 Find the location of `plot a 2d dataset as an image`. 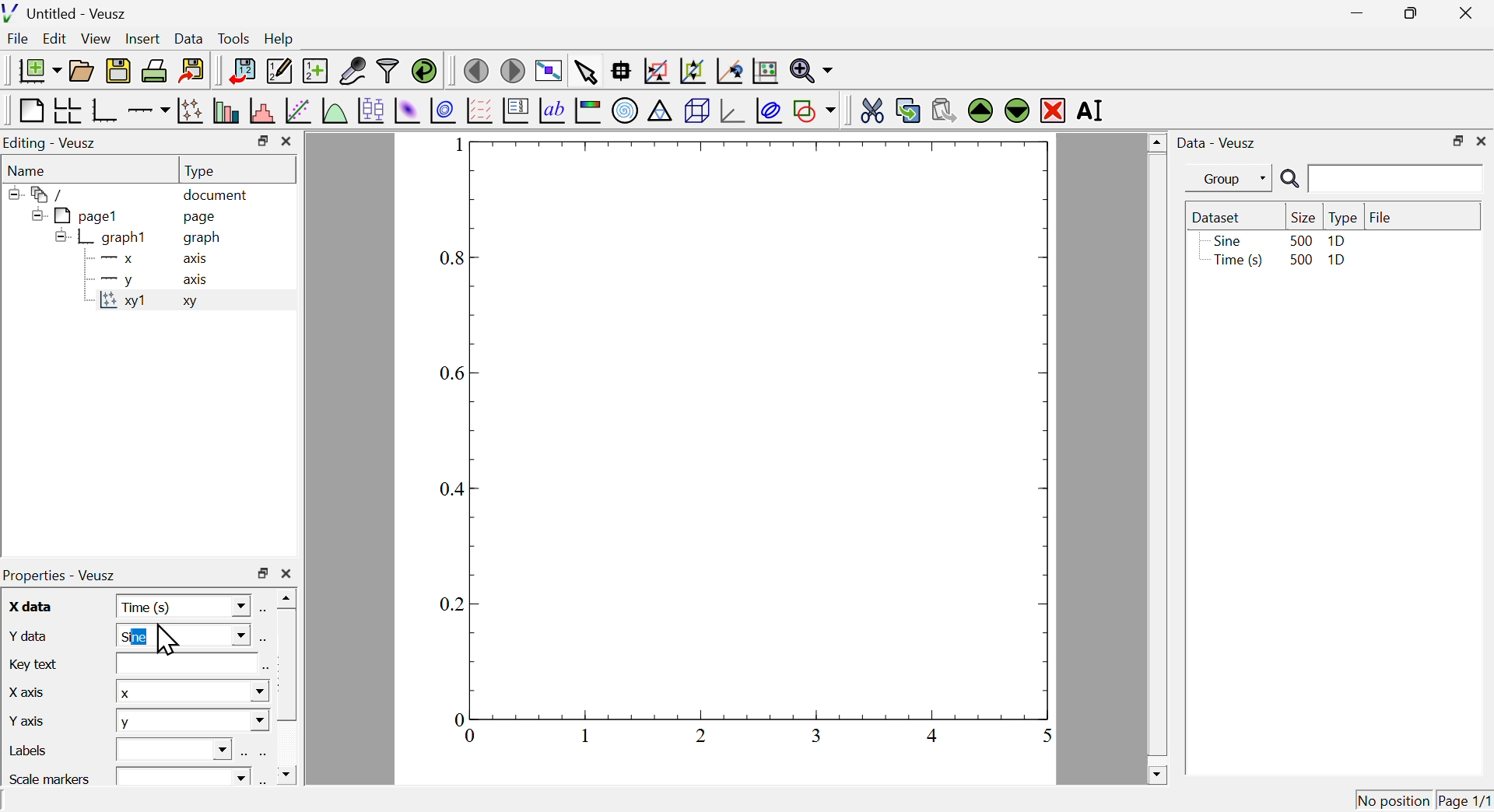

plot a 2d dataset as an image is located at coordinates (408, 110).